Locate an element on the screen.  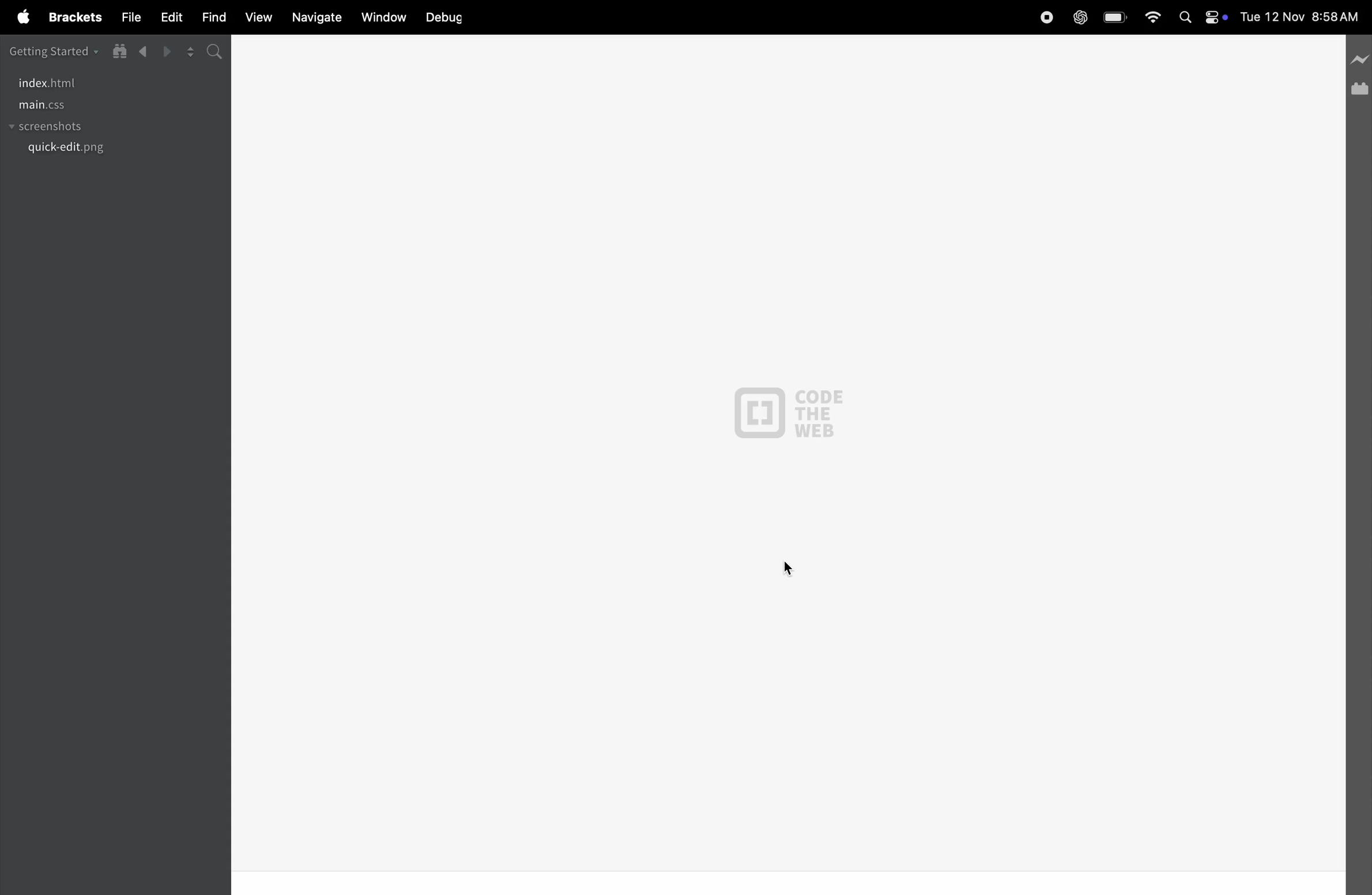
getting started is located at coordinates (54, 50).